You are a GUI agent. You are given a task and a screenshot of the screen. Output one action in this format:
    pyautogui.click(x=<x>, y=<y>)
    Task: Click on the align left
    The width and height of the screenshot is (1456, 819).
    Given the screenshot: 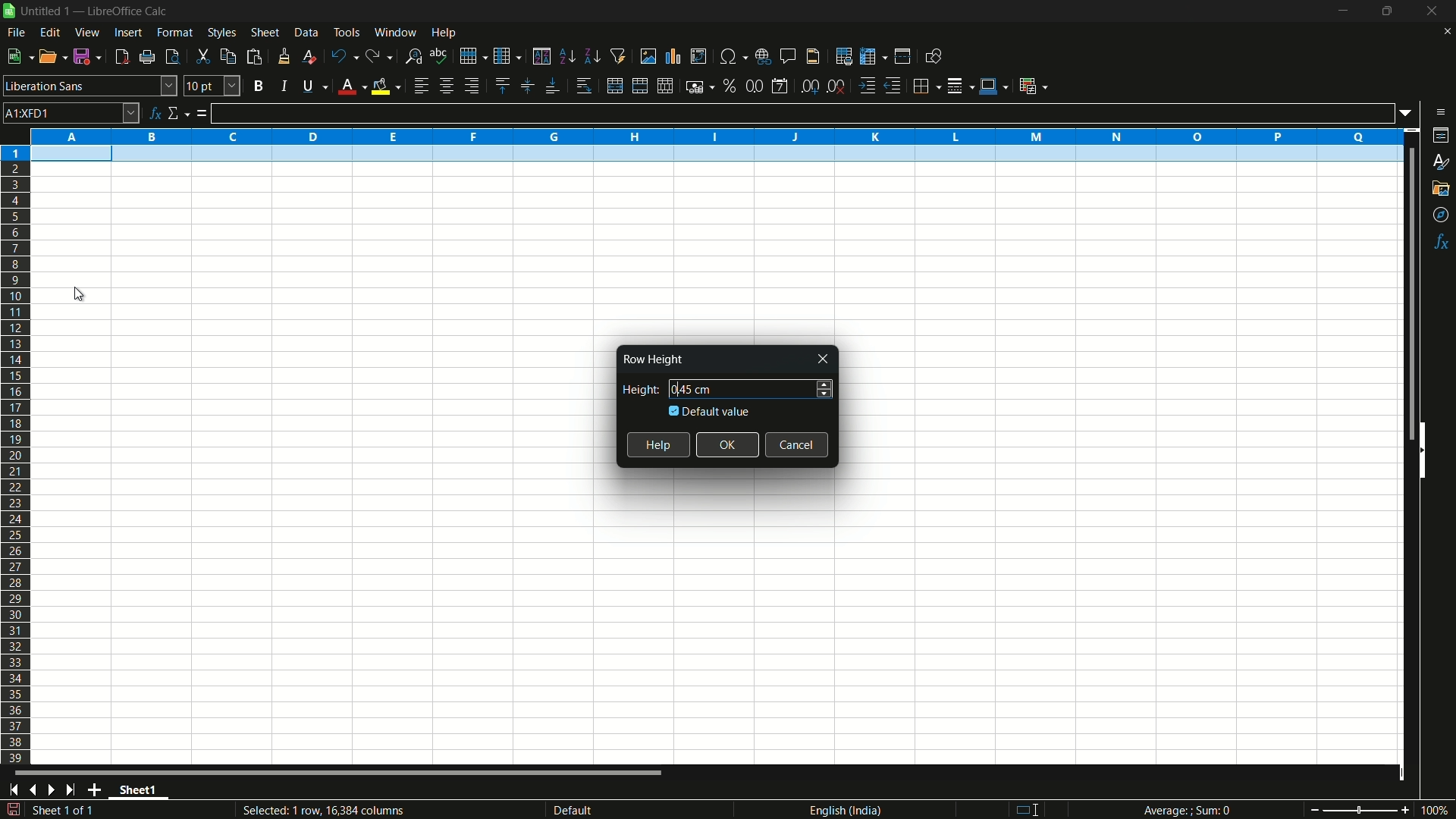 What is the action you would take?
    pyautogui.click(x=420, y=86)
    